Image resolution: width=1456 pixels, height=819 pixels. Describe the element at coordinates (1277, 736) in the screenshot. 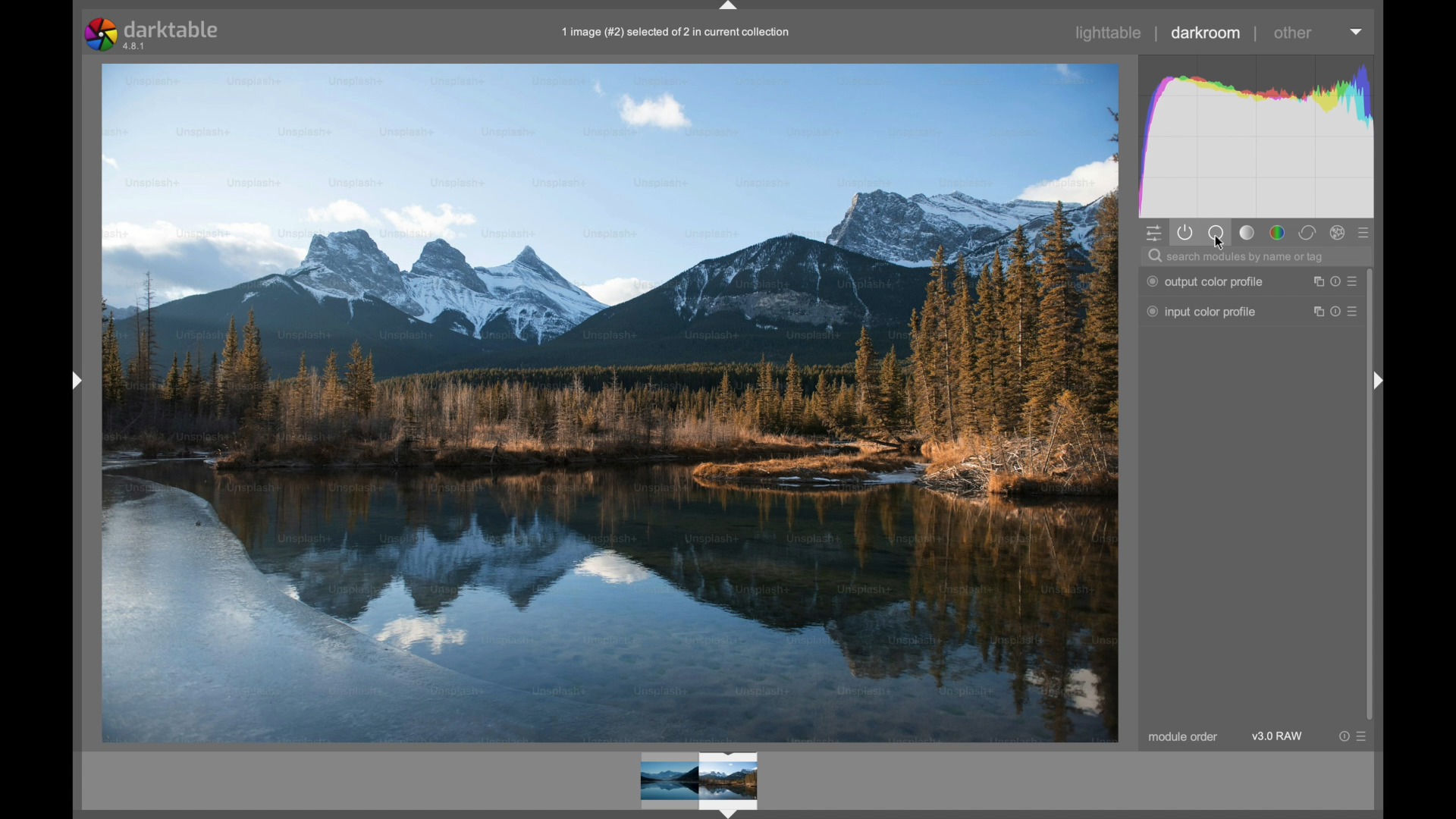

I see `v3.0 raw` at that location.